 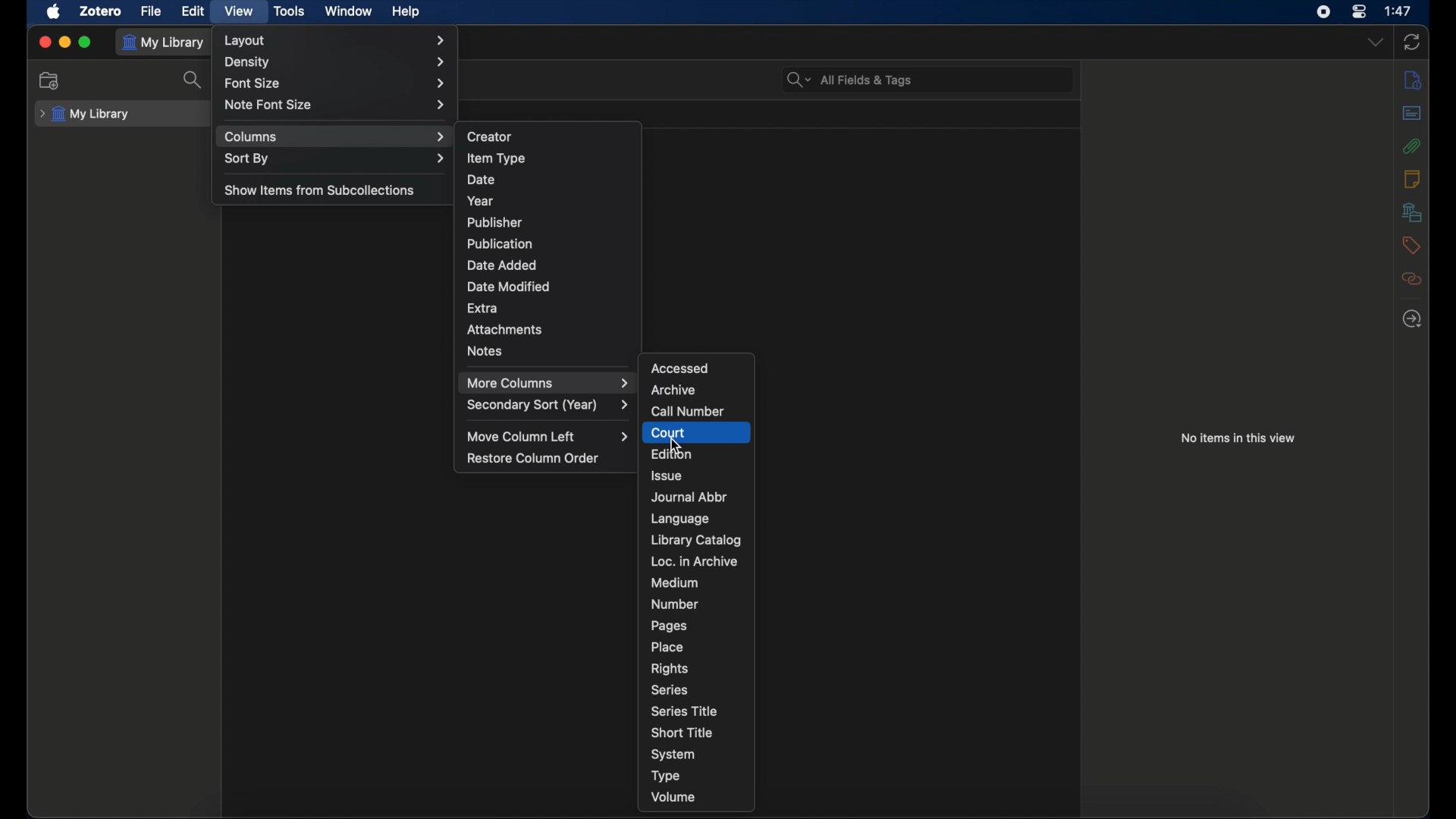 I want to click on place, so click(x=668, y=647).